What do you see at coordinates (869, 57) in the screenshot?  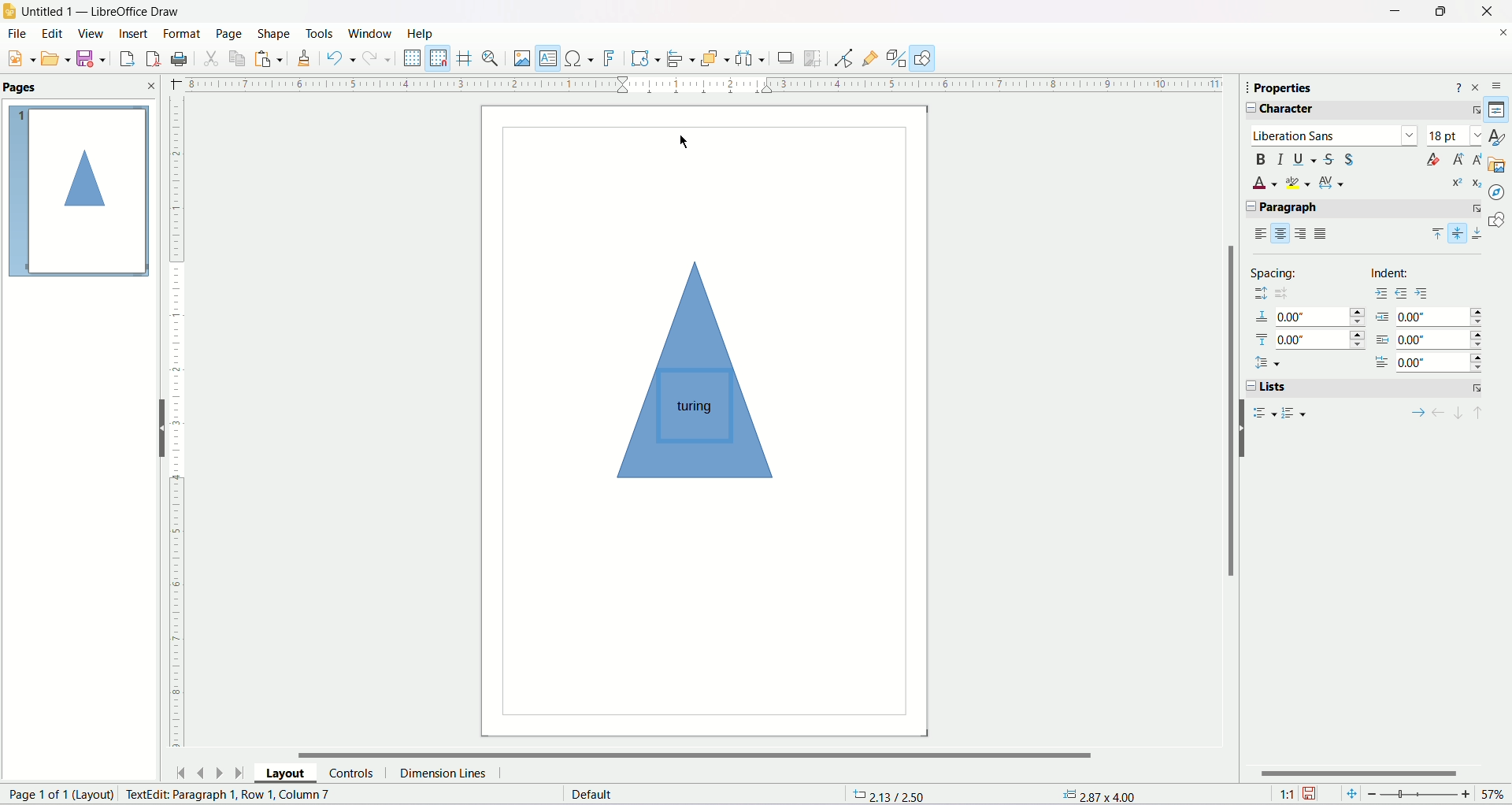 I see `Show gluepoint functions` at bounding box center [869, 57].